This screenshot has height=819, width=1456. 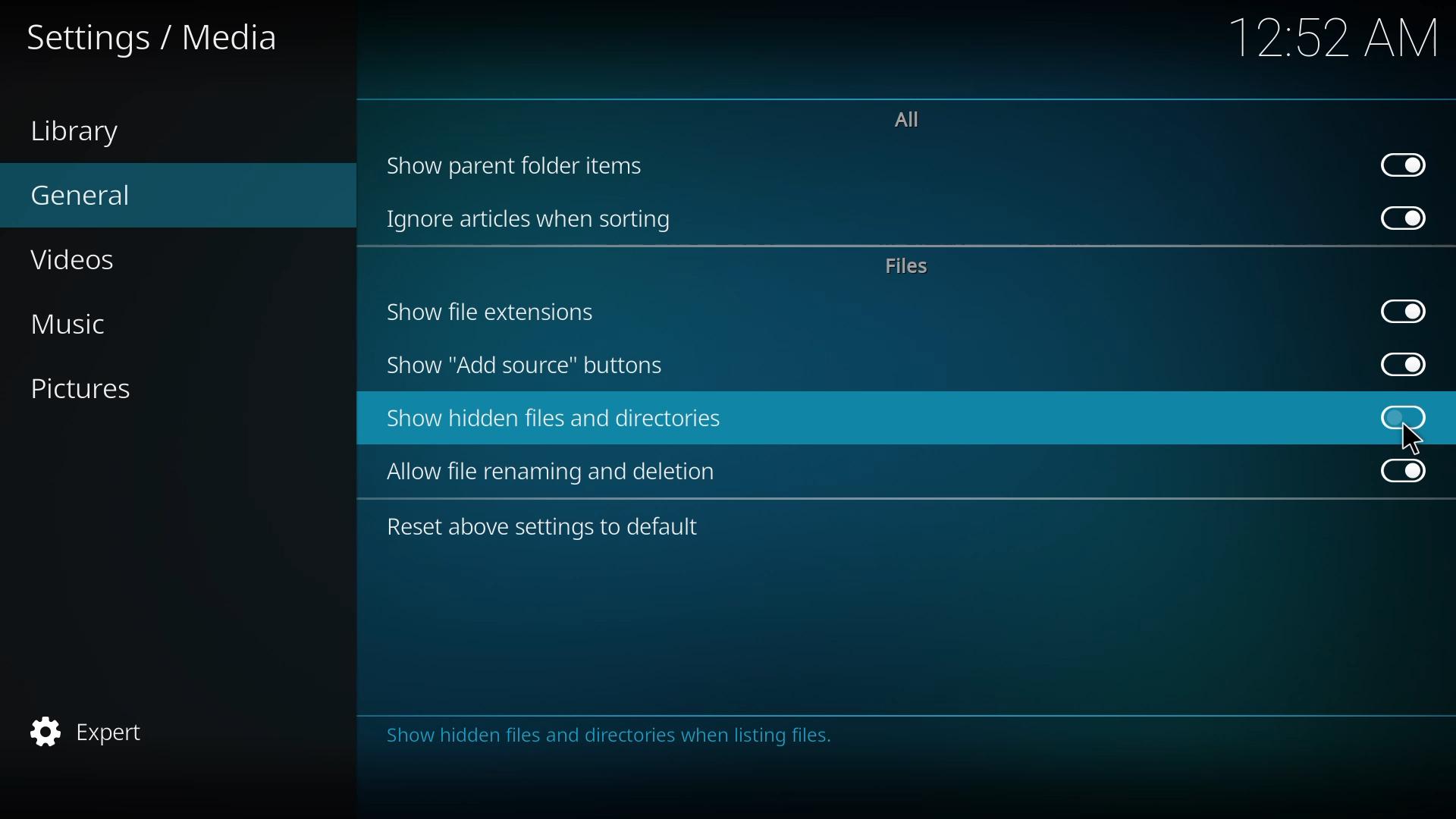 What do you see at coordinates (1404, 418) in the screenshot?
I see `click to enable` at bounding box center [1404, 418].